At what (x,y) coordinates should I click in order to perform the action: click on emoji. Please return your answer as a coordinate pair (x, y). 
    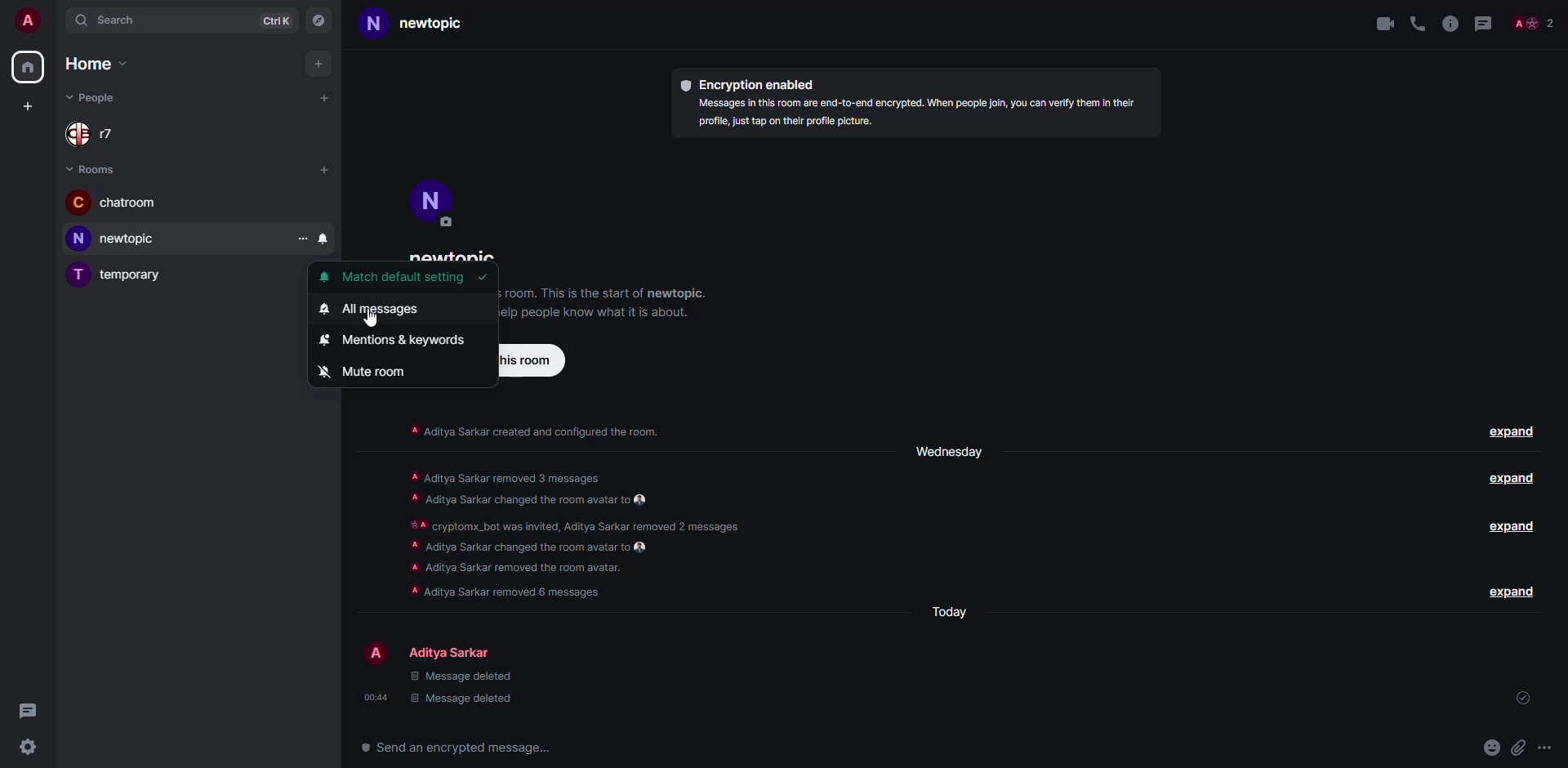
    Looking at the image, I should click on (1491, 746).